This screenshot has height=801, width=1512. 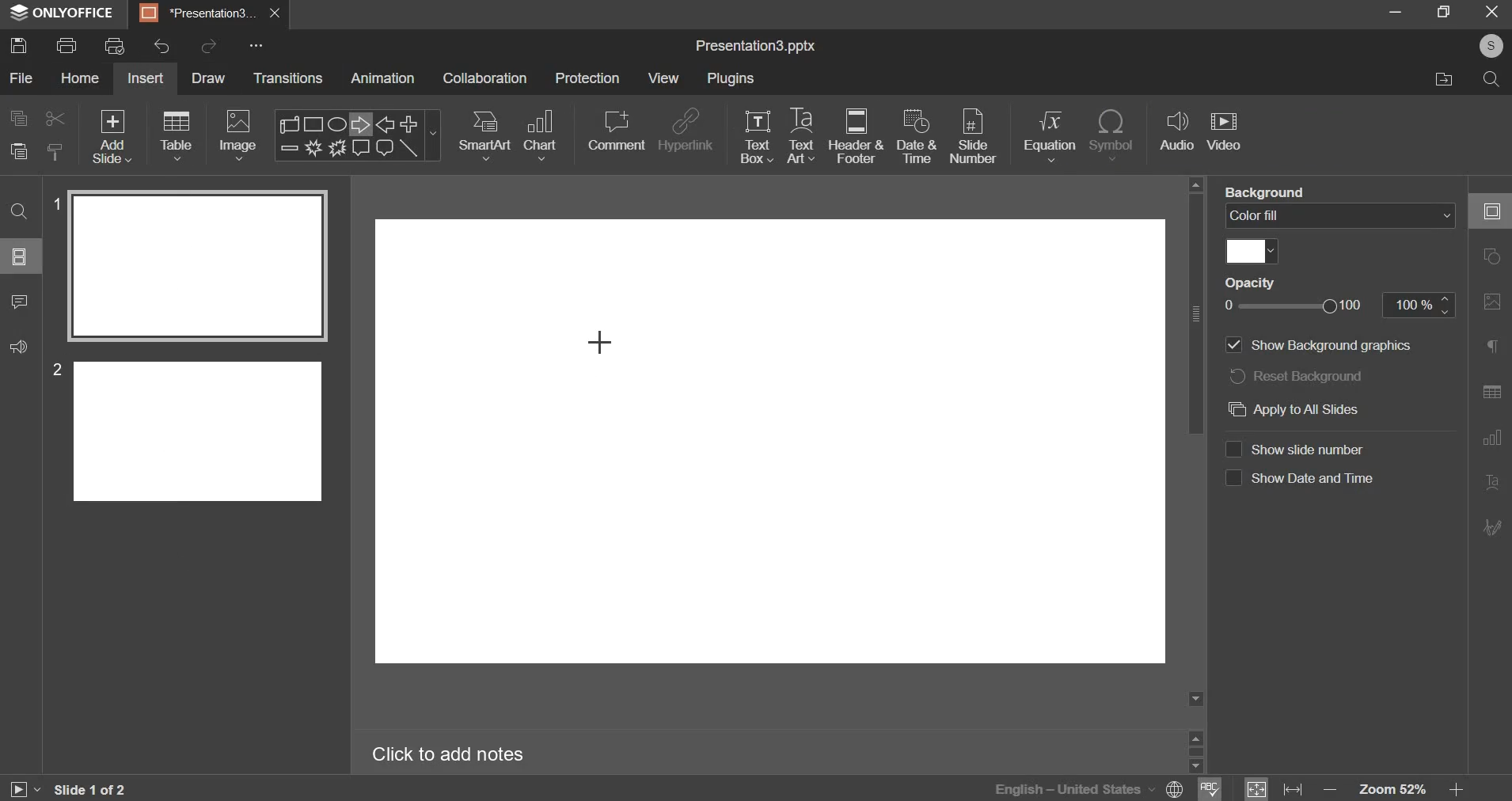 I want to click on opacity, so click(x=1301, y=306).